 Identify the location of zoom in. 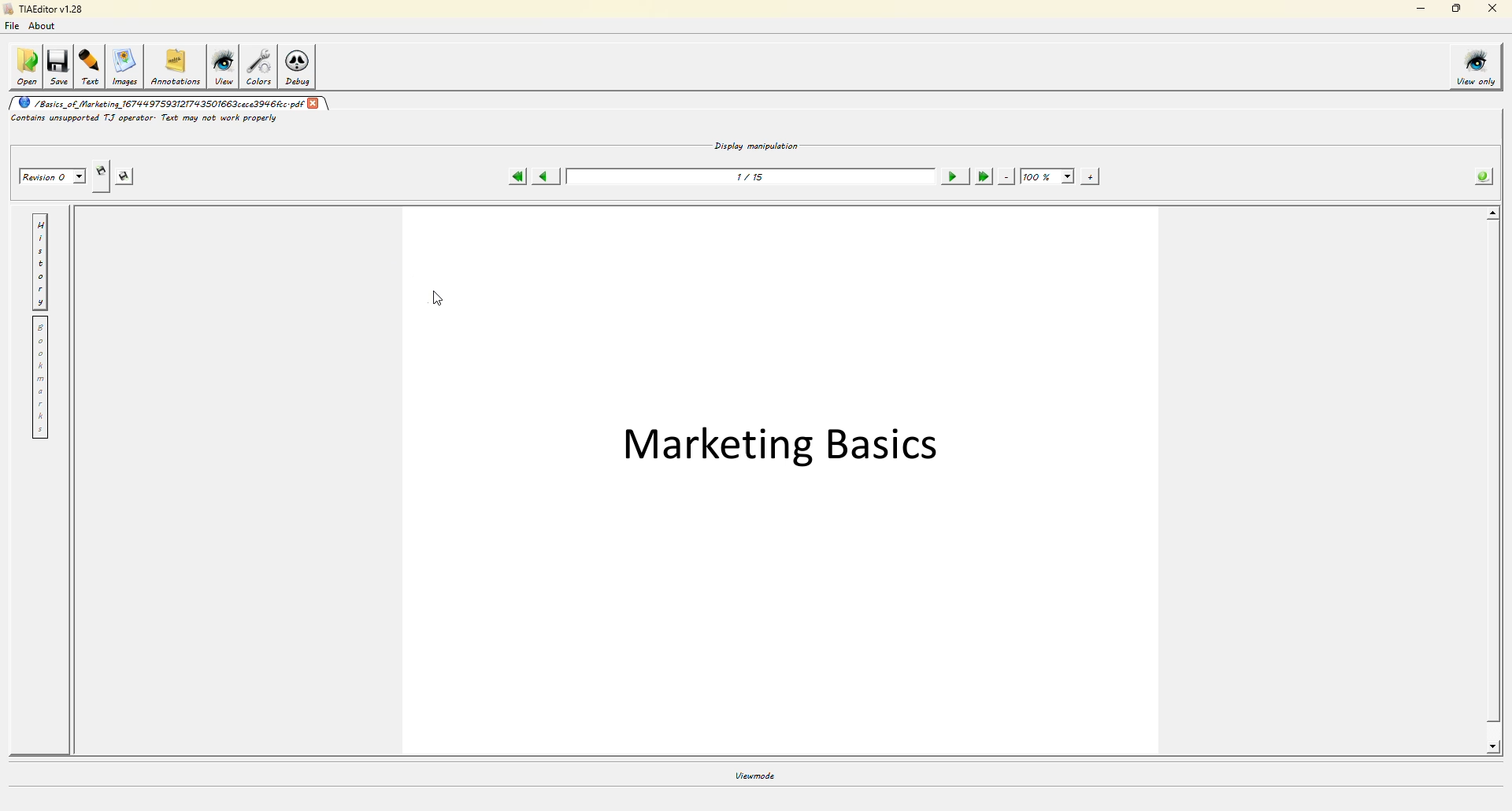
(1091, 176).